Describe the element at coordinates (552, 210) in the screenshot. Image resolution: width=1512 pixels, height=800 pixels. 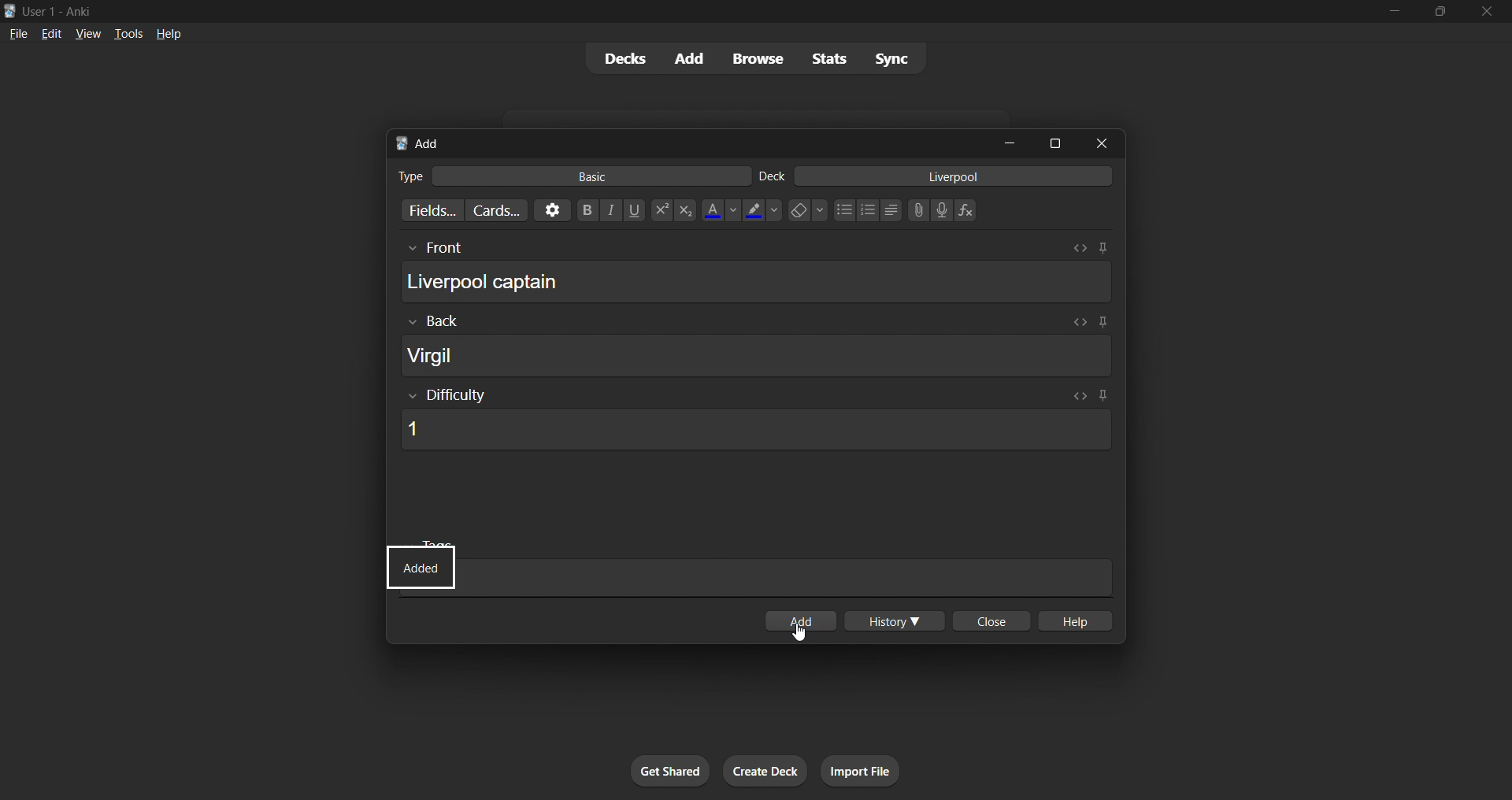
I see `options` at that location.